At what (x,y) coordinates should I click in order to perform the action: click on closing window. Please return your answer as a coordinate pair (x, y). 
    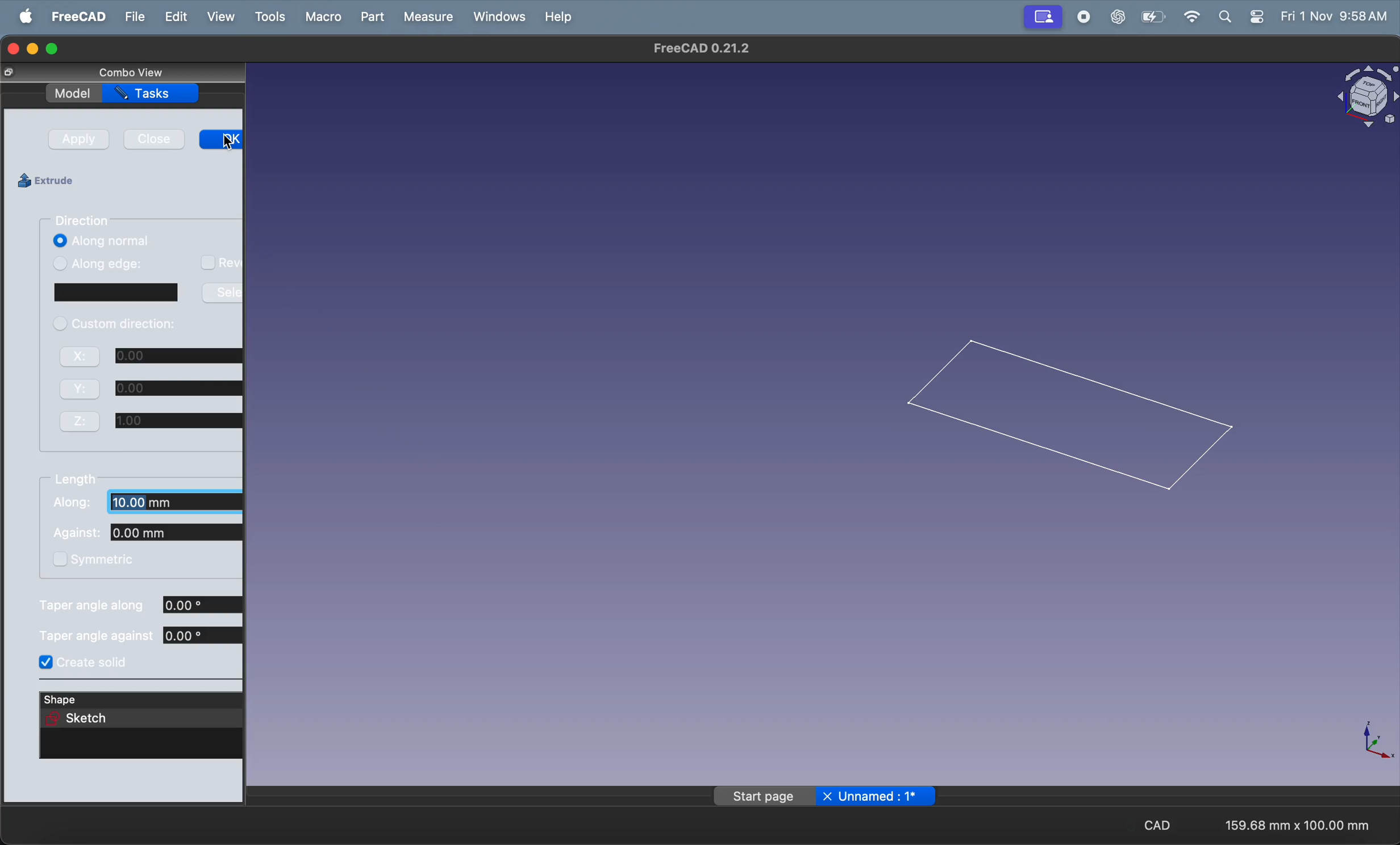
    Looking at the image, I should click on (10, 50).